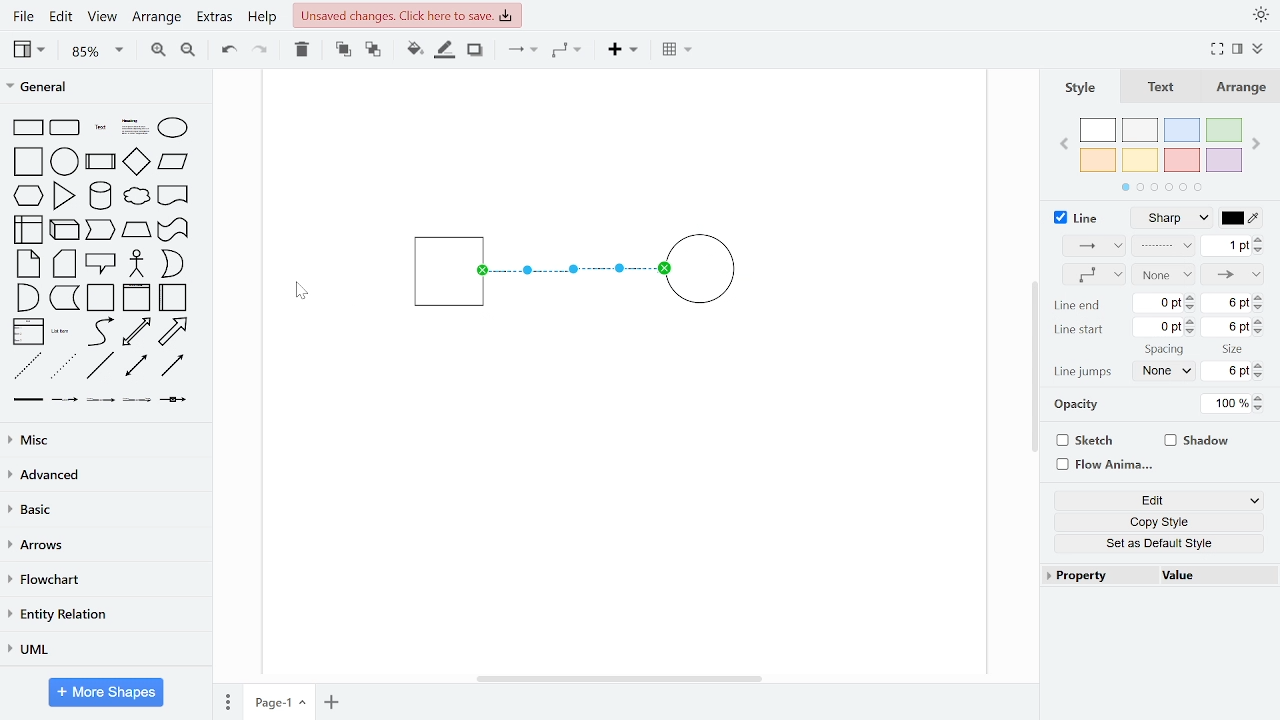 The height and width of the screenshot is (720, 1280). I want to click on add page, so click(332, 702).